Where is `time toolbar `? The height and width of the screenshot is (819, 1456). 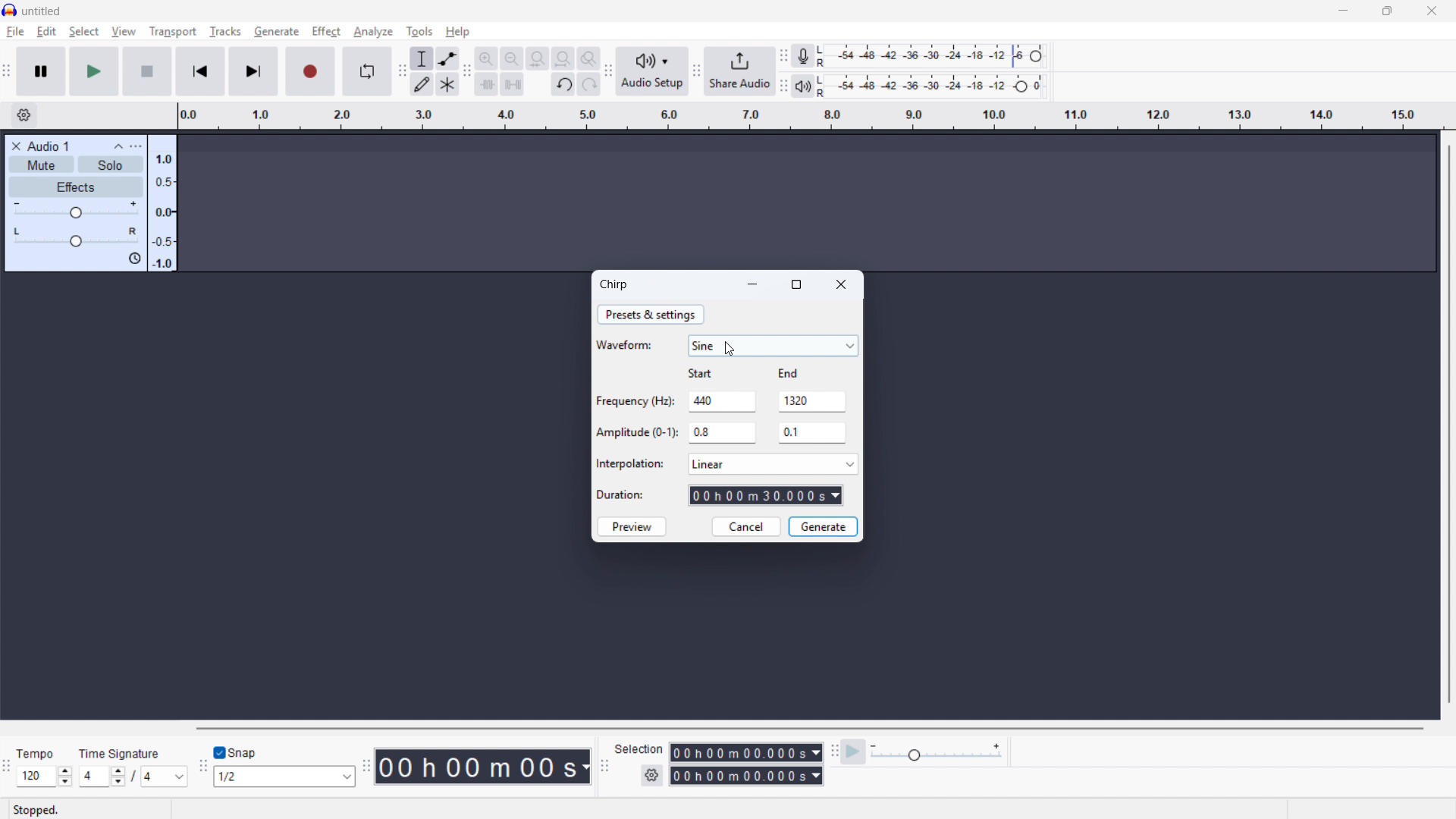
time toolbar  is located at coordinates (366, 767).